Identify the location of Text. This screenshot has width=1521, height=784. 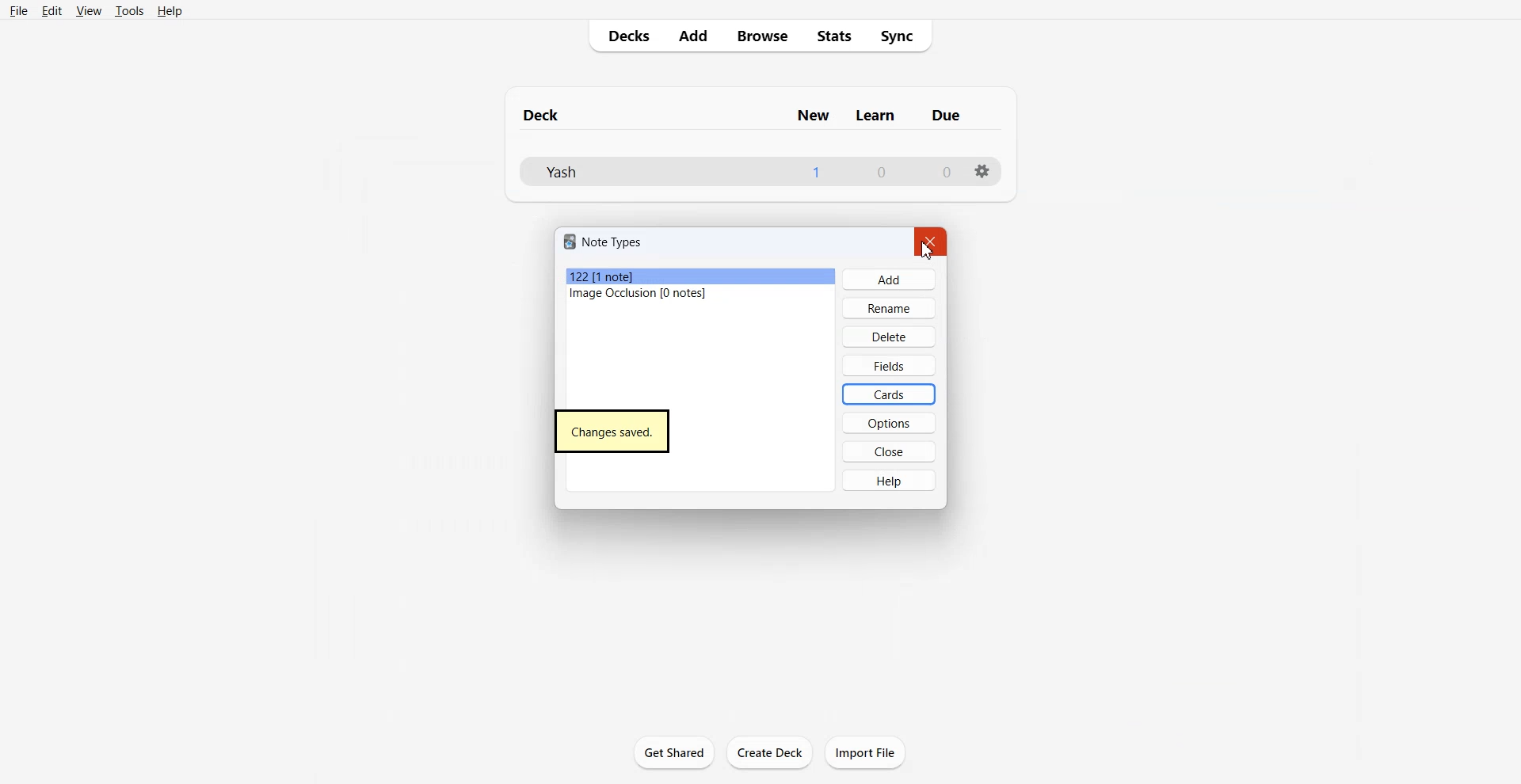
(613, 430).